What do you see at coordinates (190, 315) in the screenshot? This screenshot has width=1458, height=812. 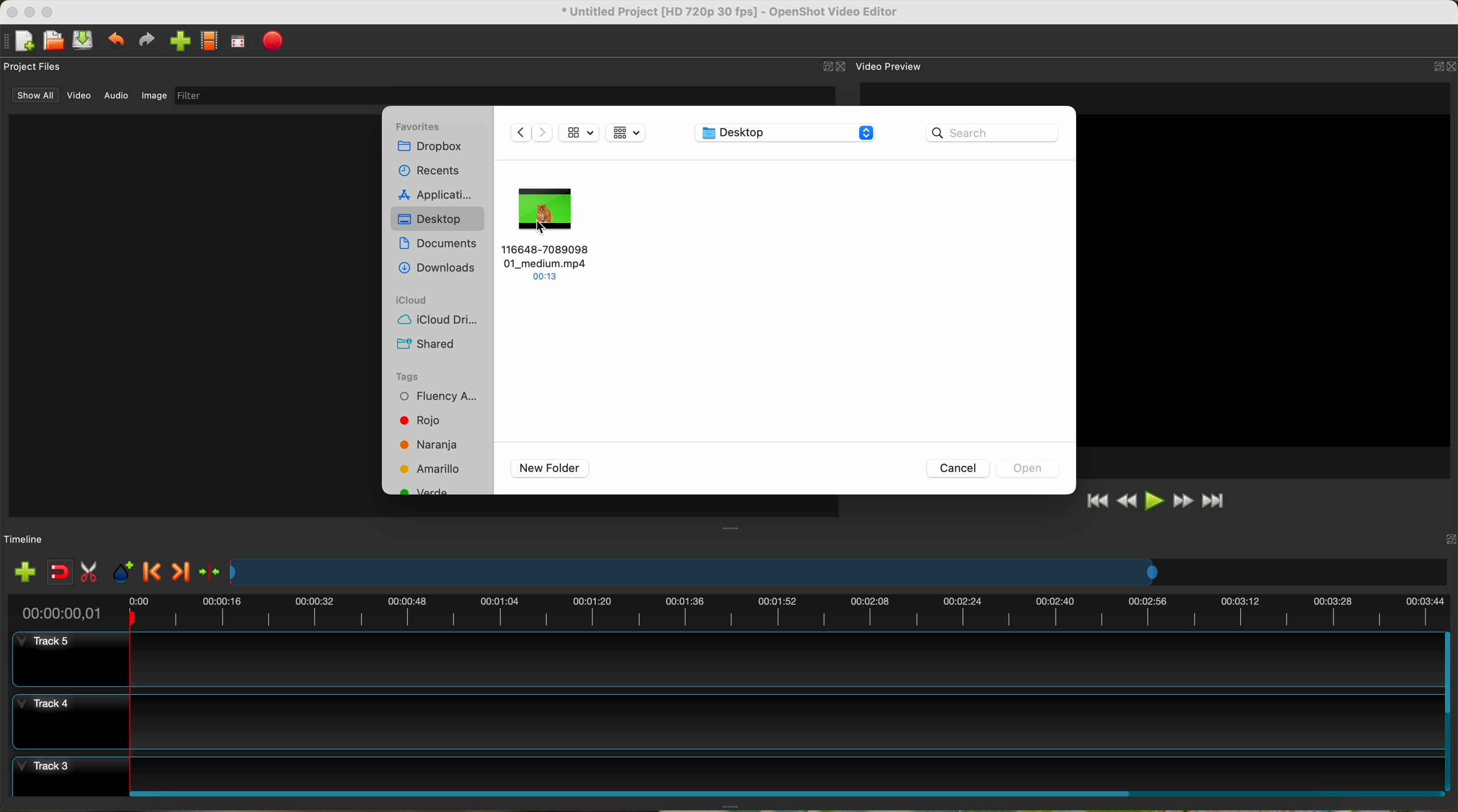 I see `window files` at bounding box center [190, 315].